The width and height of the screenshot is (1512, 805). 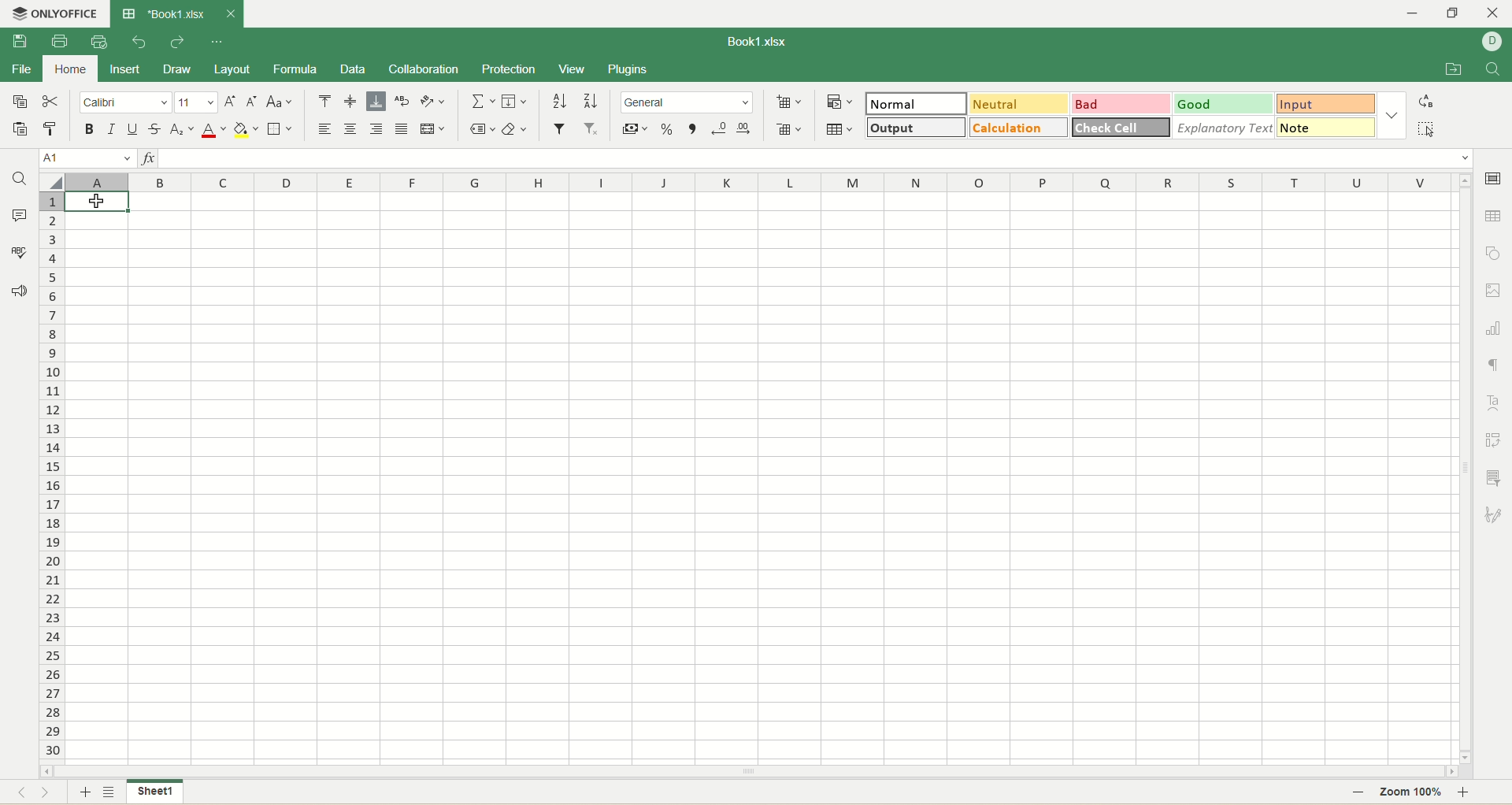 What do you see at coordinates (15, 41) in the screenshot?
I see `save` at bounding box center [15, 41].